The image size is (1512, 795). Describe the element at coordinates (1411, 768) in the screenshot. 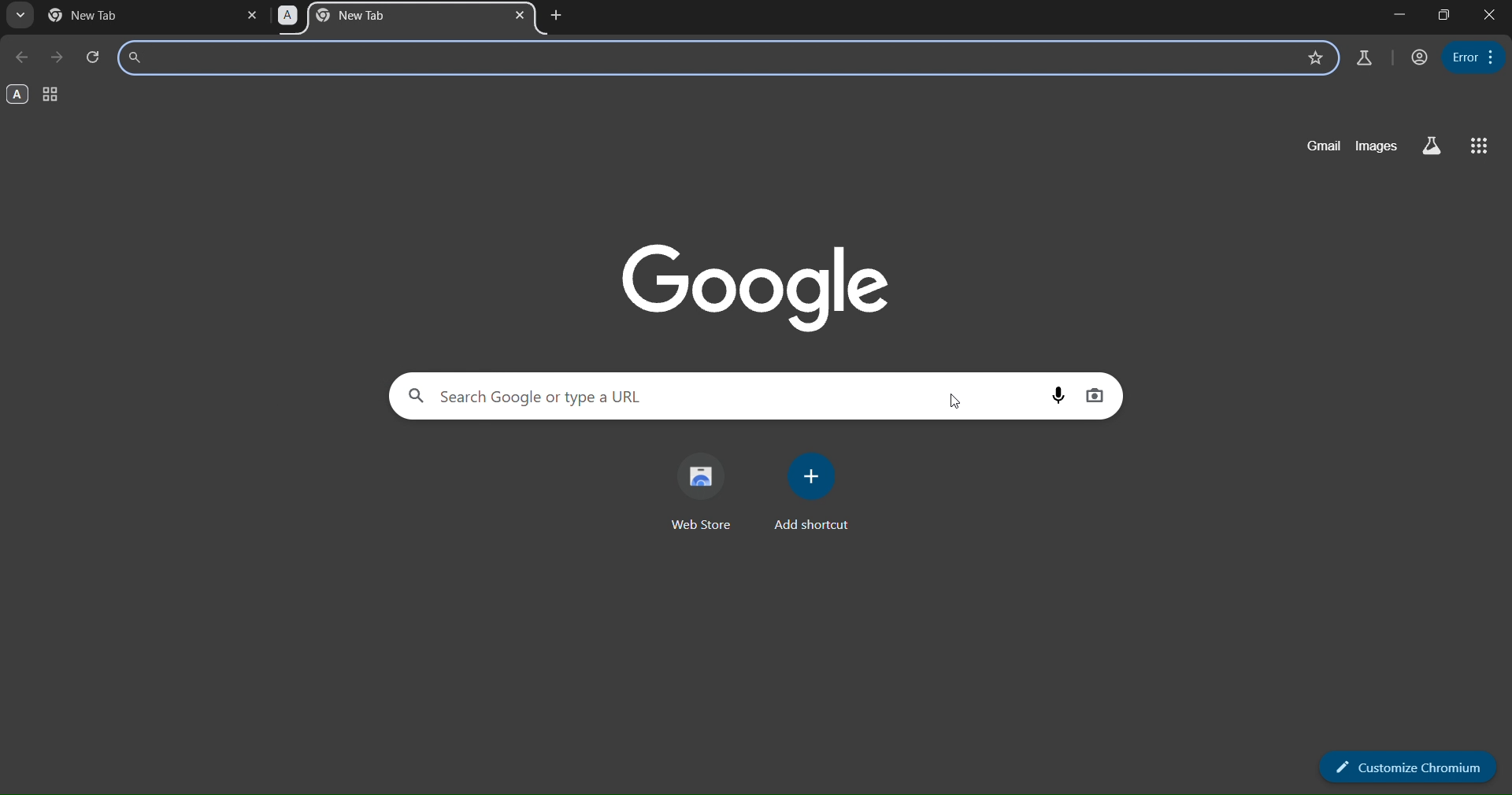

I see `customize chromium` at that location.